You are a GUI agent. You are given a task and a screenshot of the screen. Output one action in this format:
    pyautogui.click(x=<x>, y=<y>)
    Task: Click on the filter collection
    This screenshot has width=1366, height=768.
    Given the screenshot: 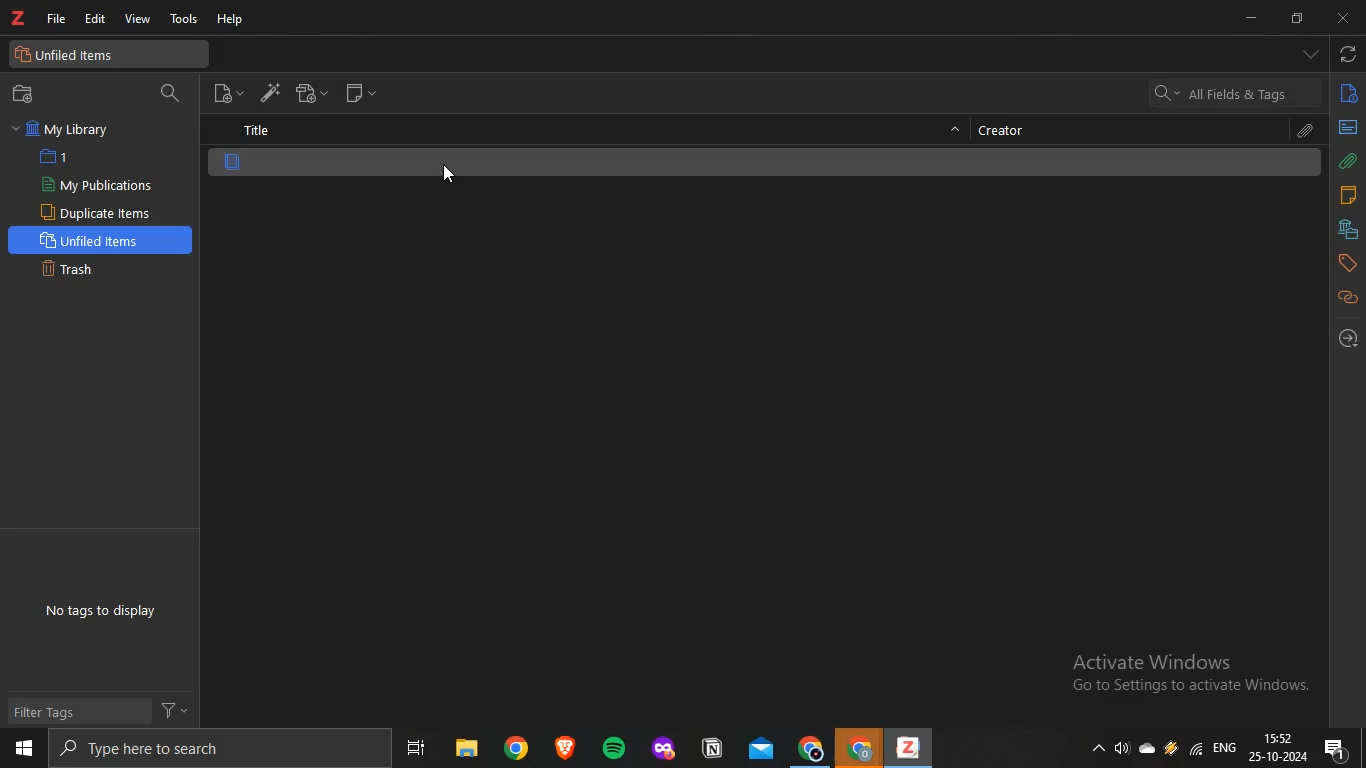 What is the action you would take?
    pyautogui.click(x=172, y=94)
    